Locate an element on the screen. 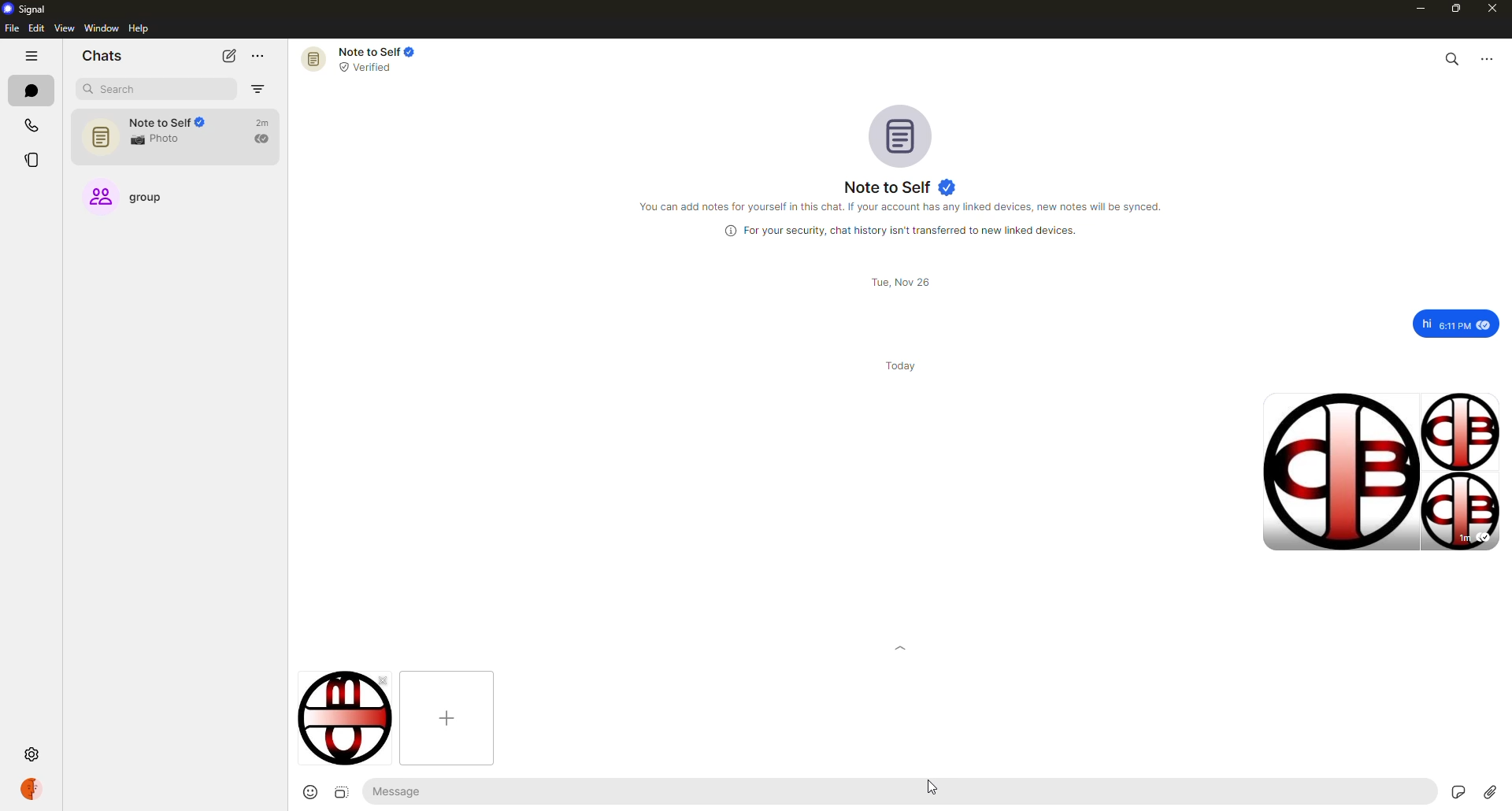 Image resolution: width=1512 pixels, height=811 pixels. info is located at coordinates (896, 229).